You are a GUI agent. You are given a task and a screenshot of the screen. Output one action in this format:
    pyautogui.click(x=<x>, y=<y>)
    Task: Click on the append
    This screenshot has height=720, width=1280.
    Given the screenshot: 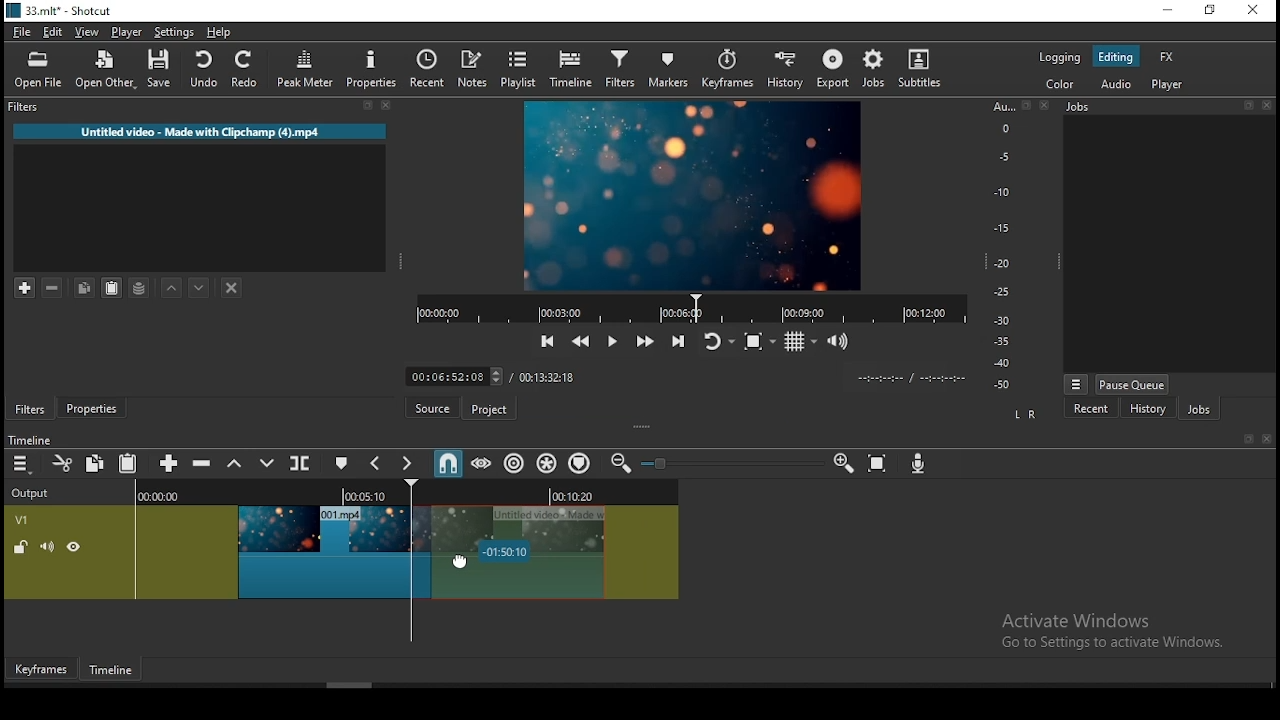 What is the action you would take?
    pyautogui.click(x=171, y=466)
    